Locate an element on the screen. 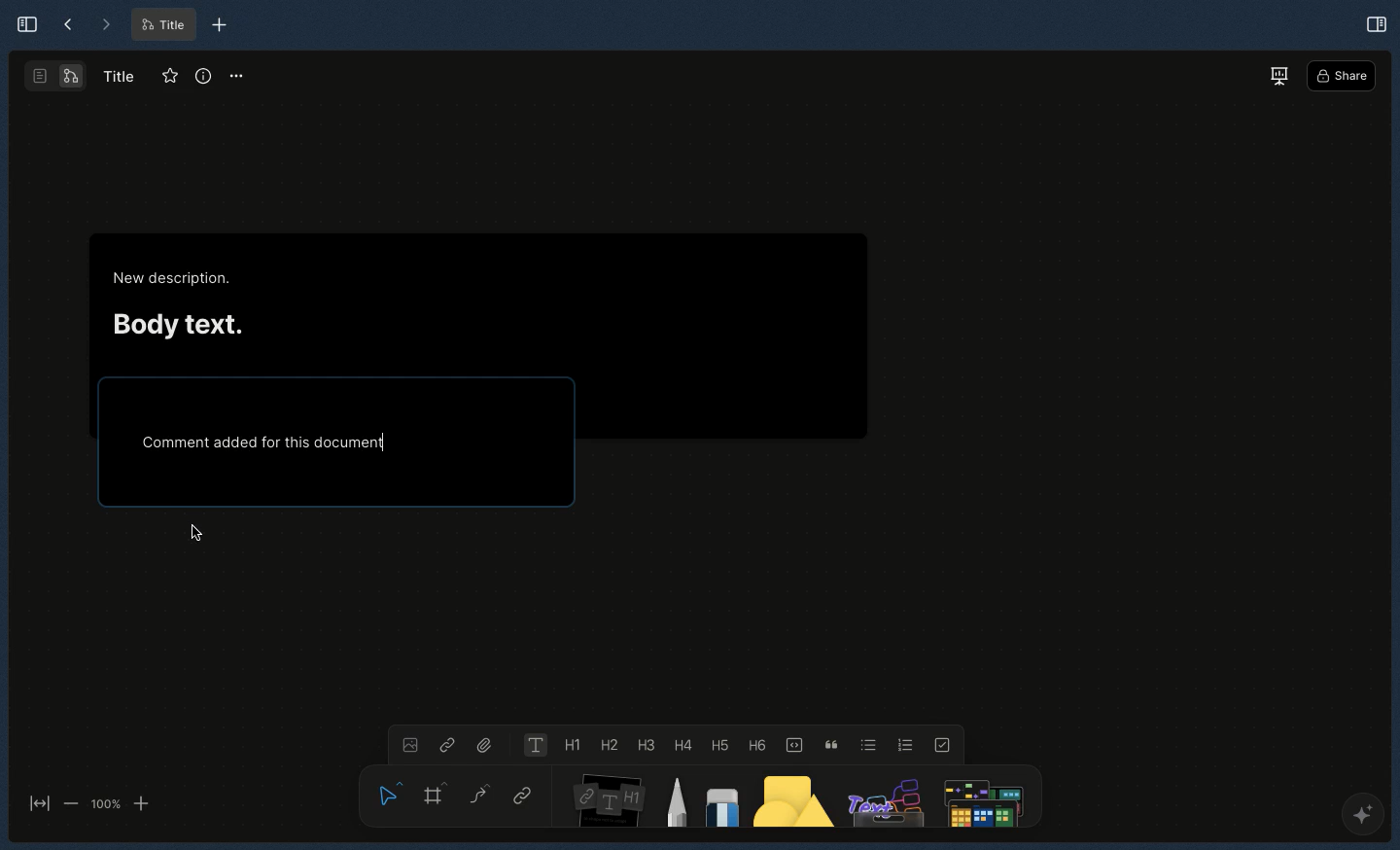  Back is located at coordinates (68, 25).